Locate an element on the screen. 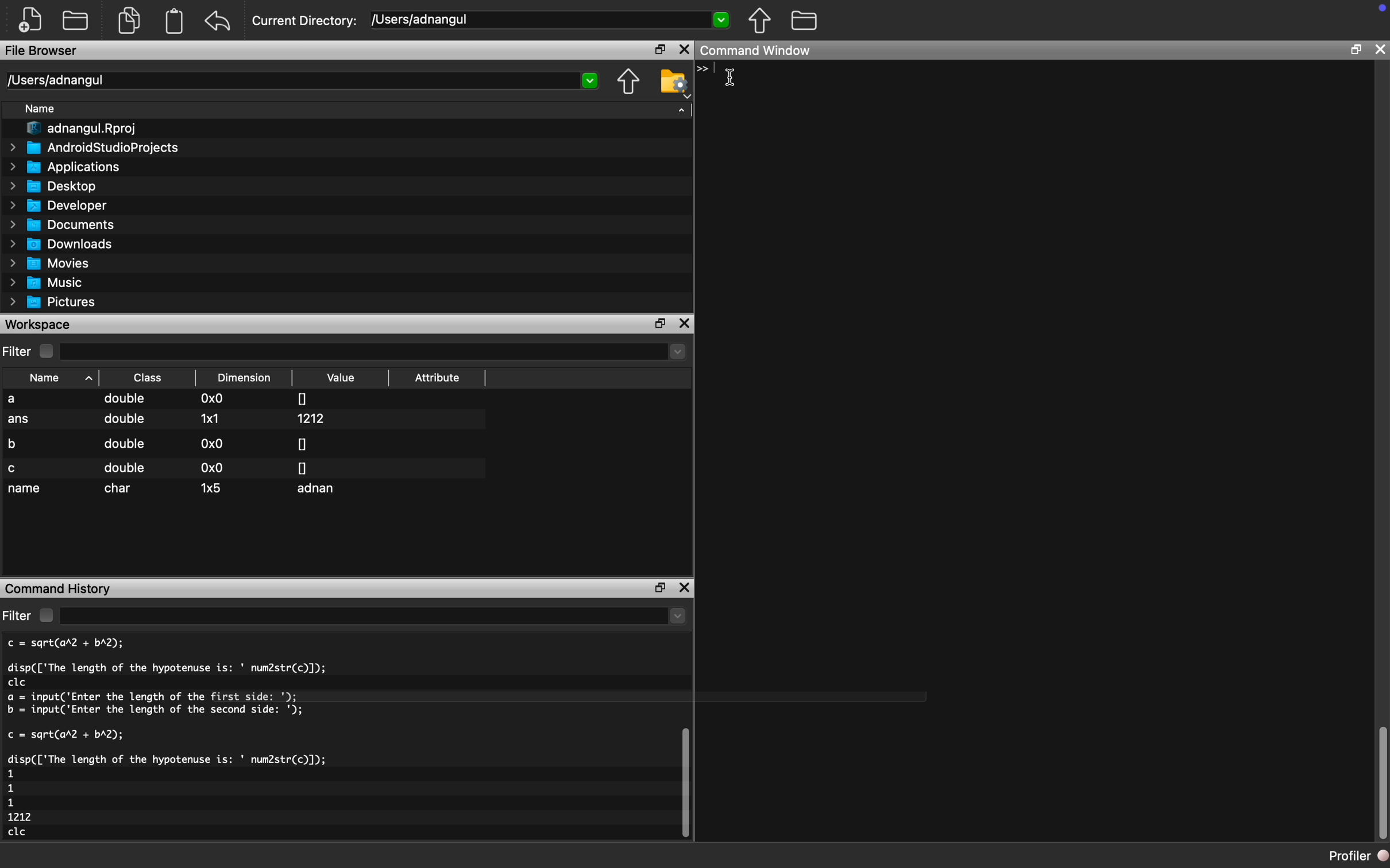 This screenshot has height=868, width=1390. /USers/adnangul is located at coordinates (551, 20).